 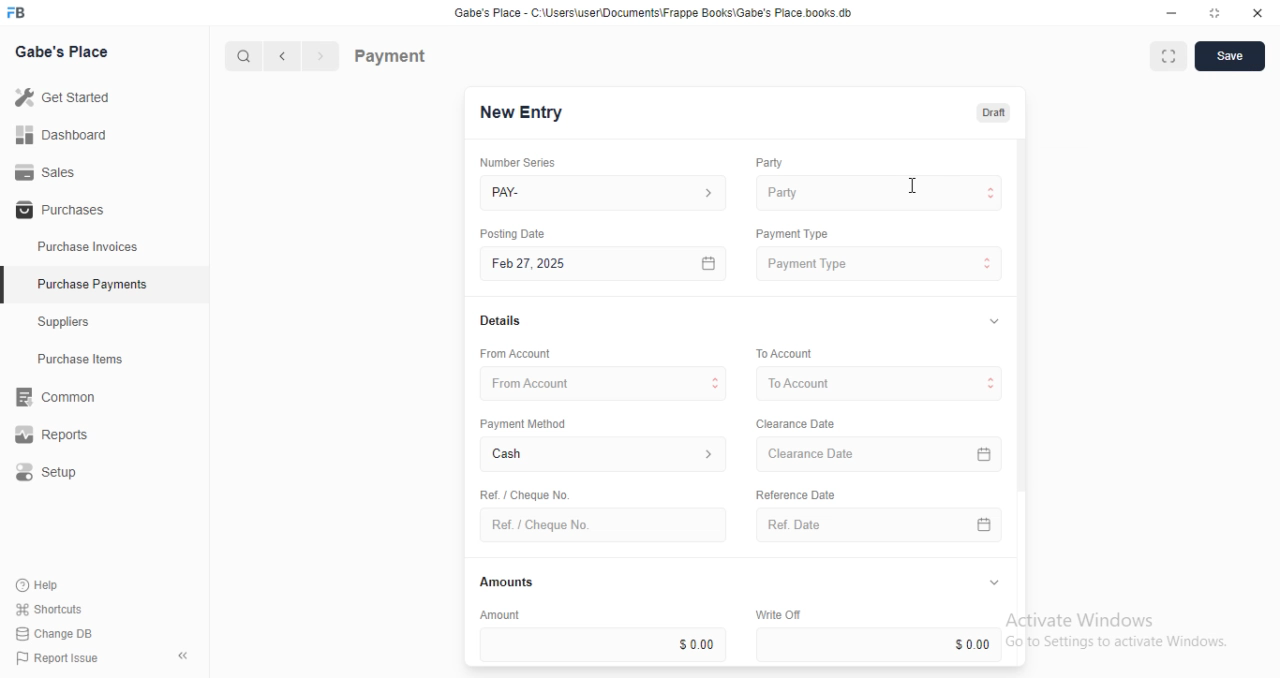 What do you see at coordinates (45, 171) in the screenshot?
I see `Sales` at bounding box center [45, 171].